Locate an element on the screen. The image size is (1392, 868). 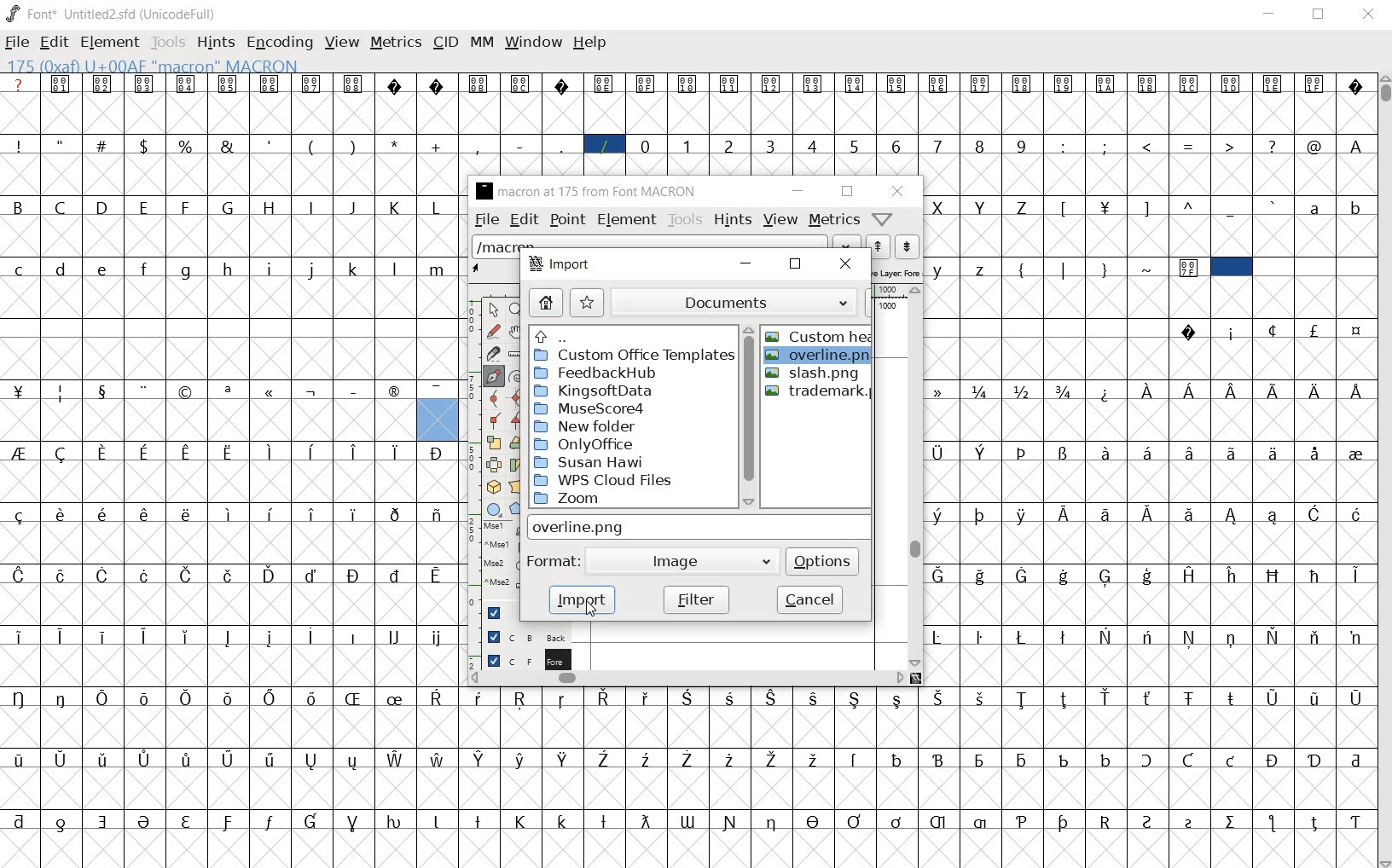
Symbol is located at coordinates (1023, 513).